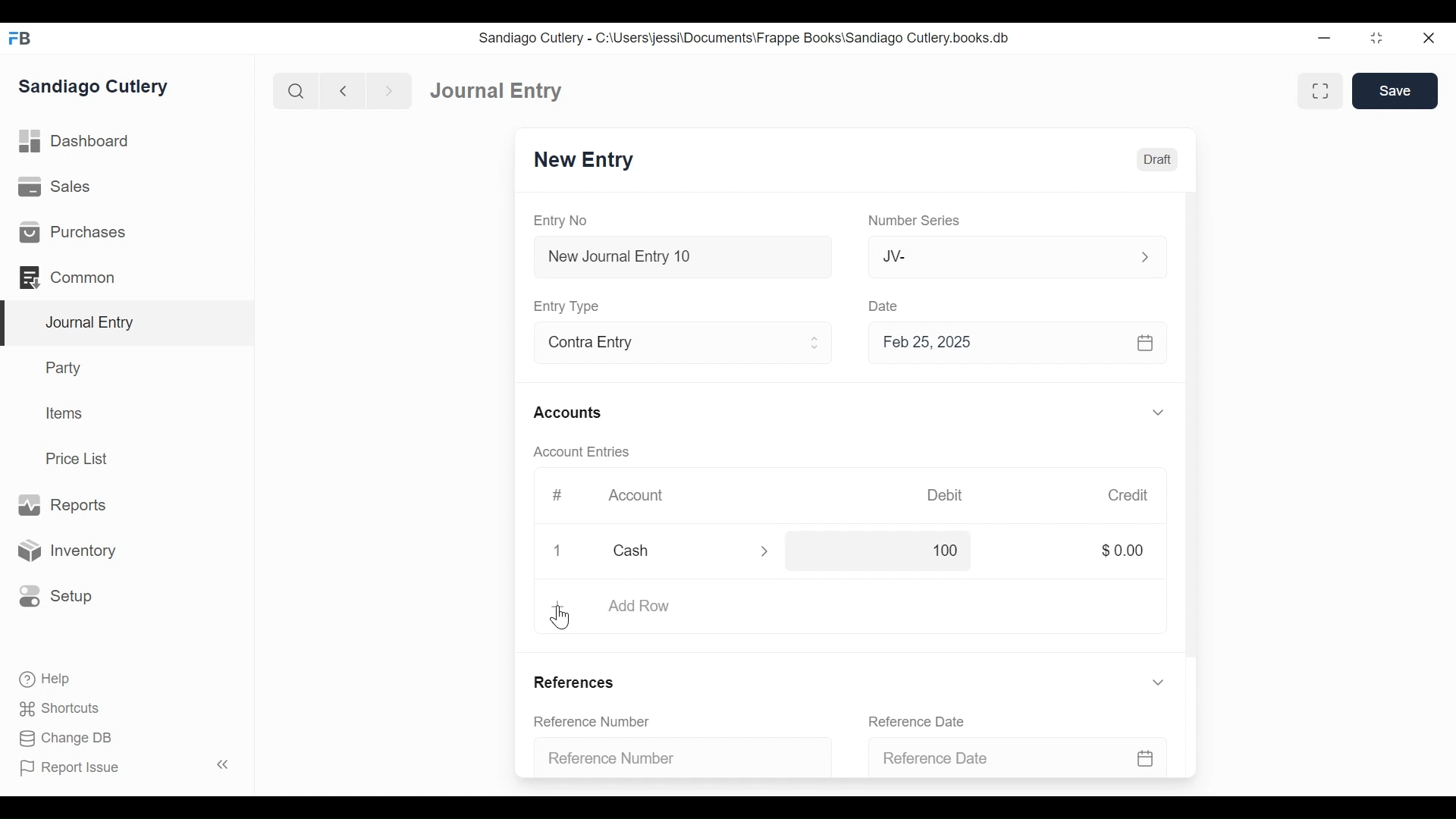 The width and height of the screenshot is (1456, 819). I want to click on Feb 25, 2025, so click(1019, 346).